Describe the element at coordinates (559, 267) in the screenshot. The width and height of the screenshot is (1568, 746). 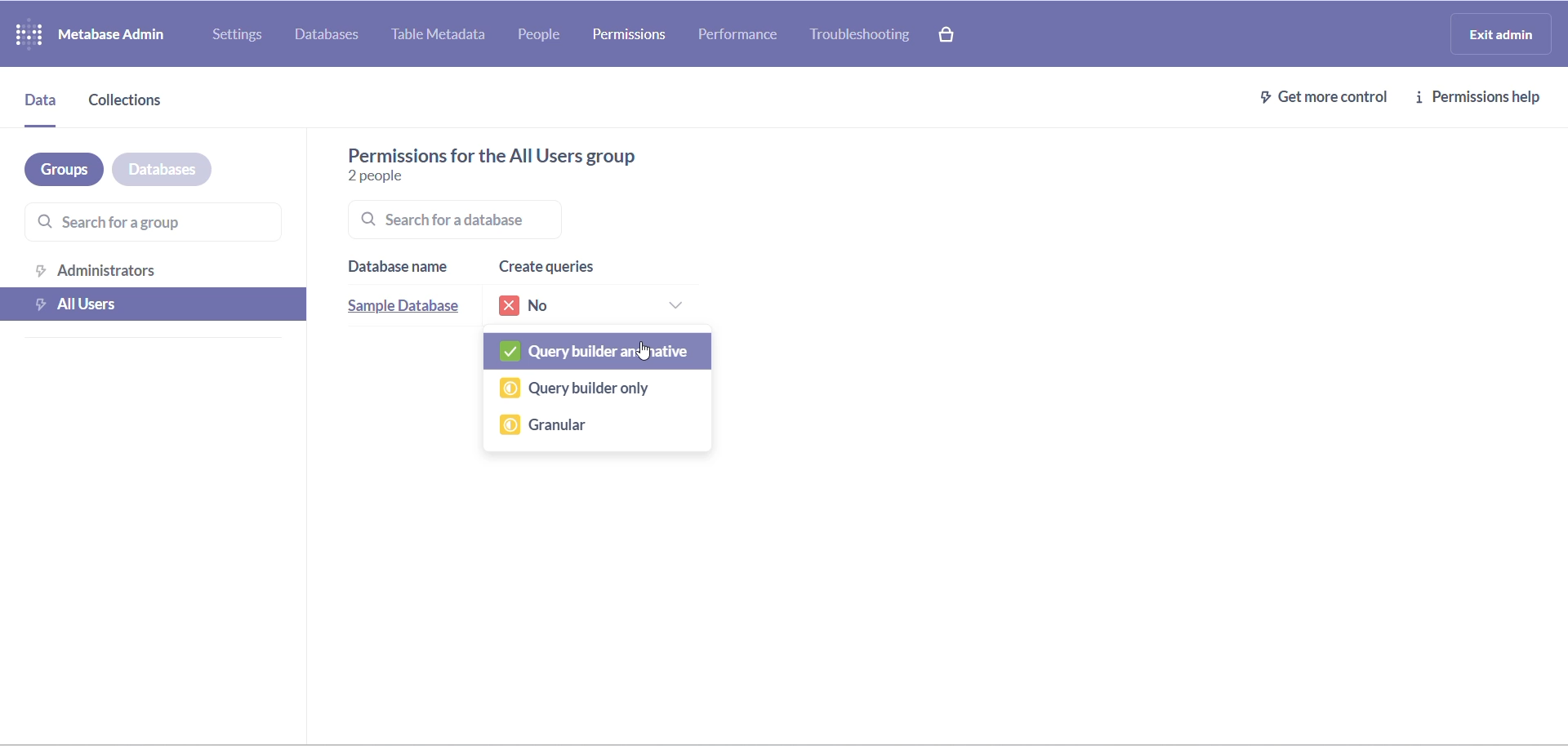
I see `create queries` at that location.